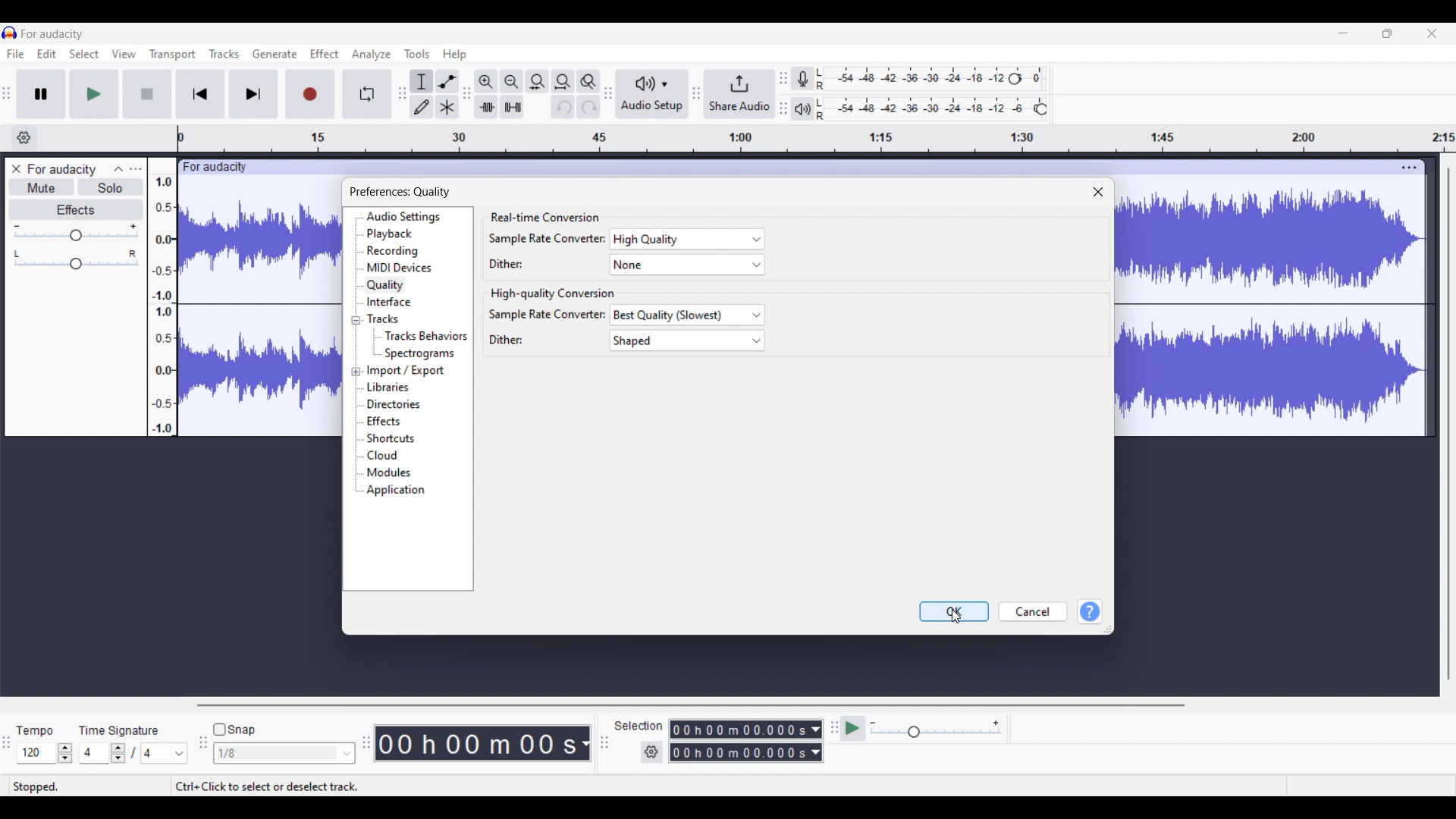  I want to click on cursor, so click(955, 618).